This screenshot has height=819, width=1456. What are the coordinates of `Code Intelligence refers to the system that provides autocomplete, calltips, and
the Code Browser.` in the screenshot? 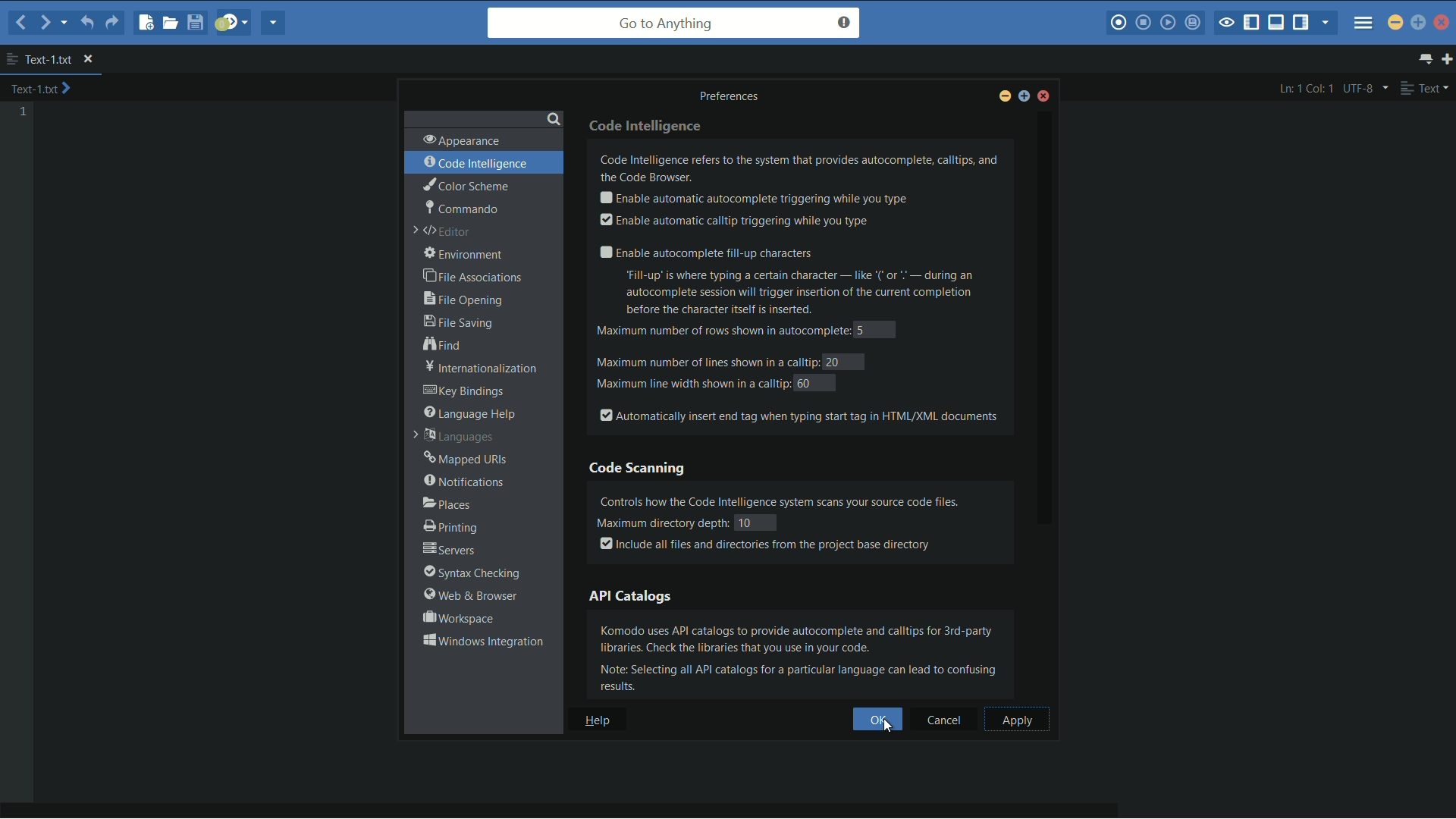 It's located at (801, 167).